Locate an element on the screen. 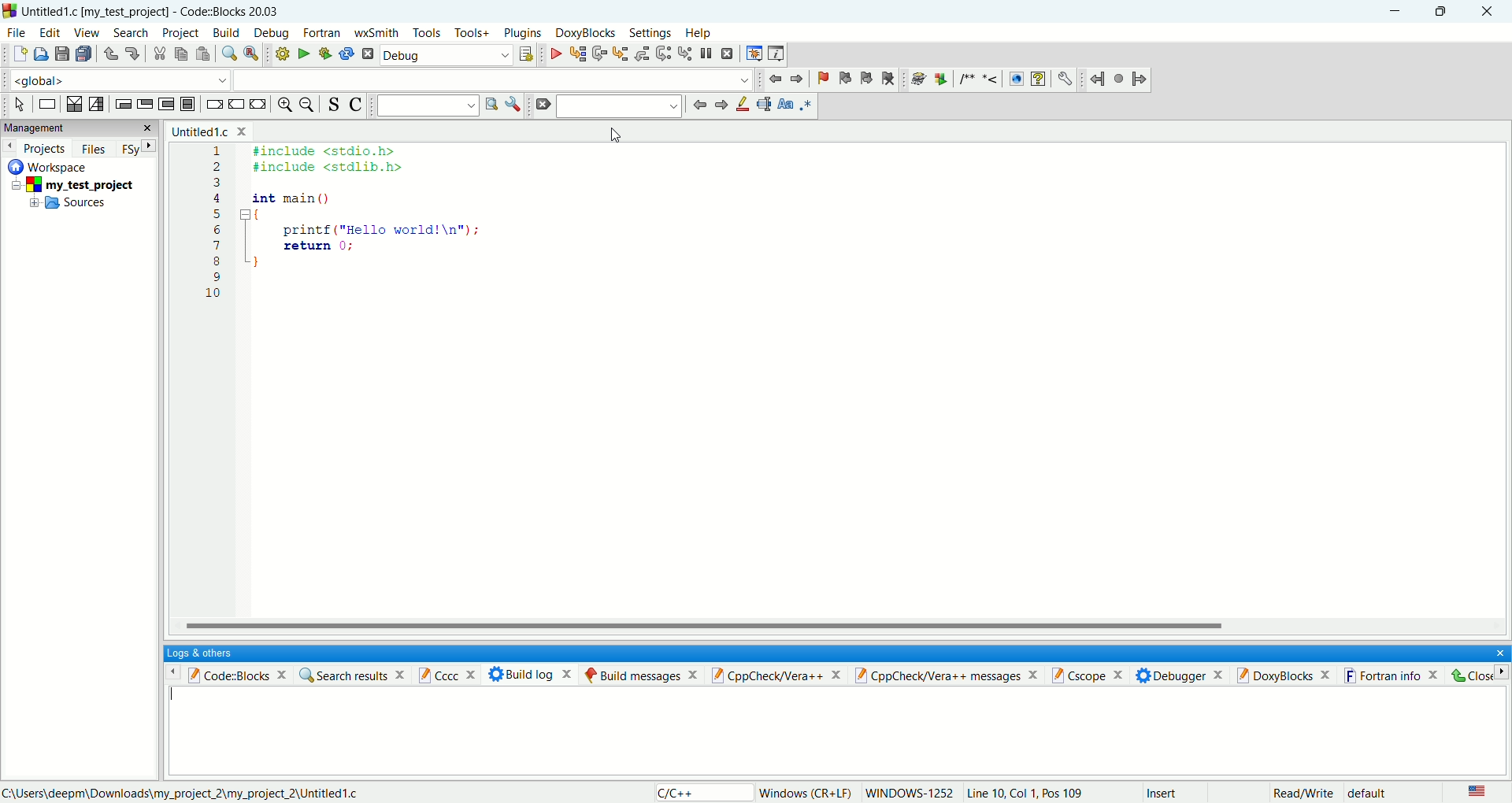 The height and width of the screenshot is (803, 1512). sources is located at coordinates (69, 205).